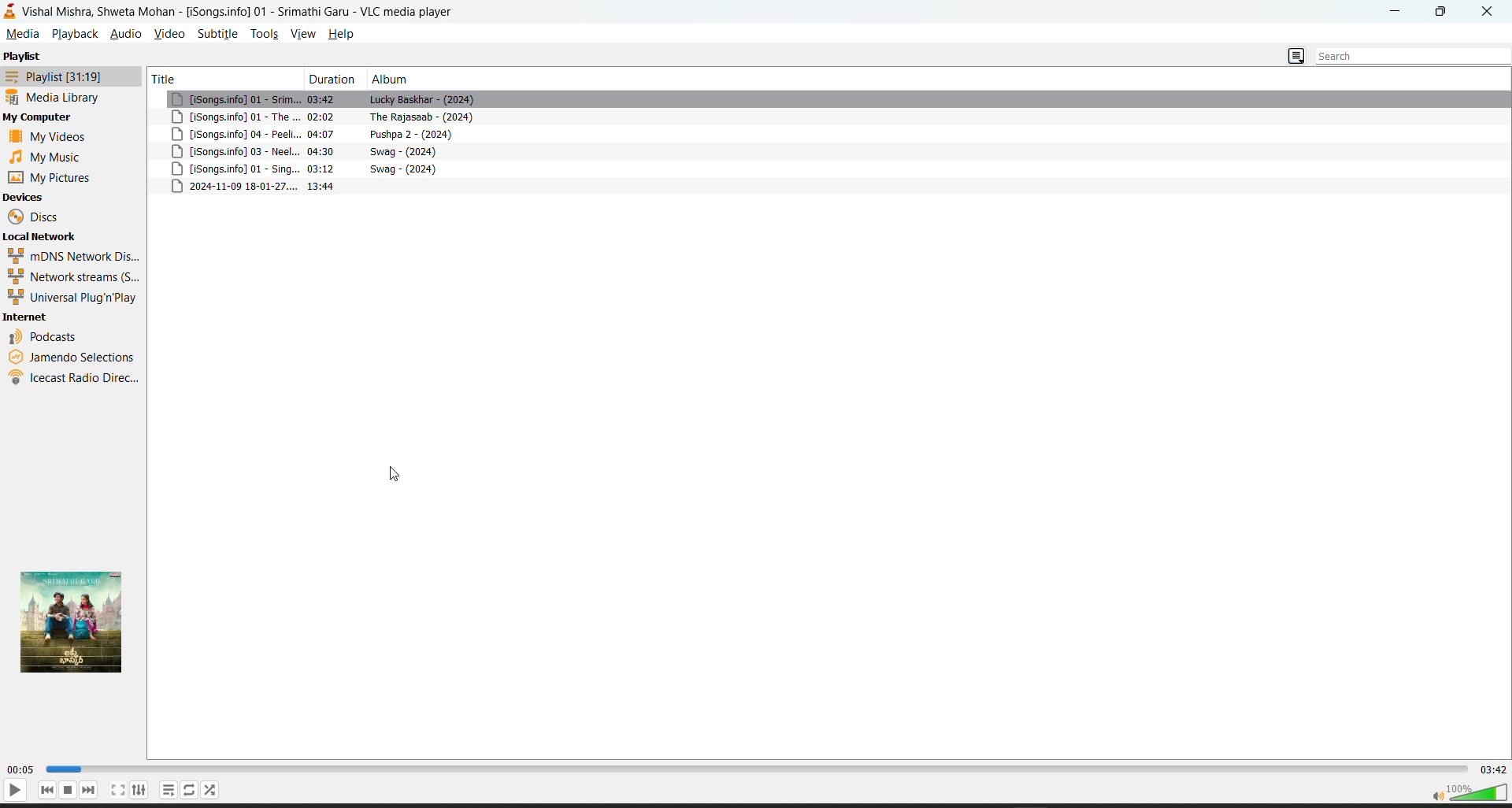  I want to click on previous, so click(47, 791).